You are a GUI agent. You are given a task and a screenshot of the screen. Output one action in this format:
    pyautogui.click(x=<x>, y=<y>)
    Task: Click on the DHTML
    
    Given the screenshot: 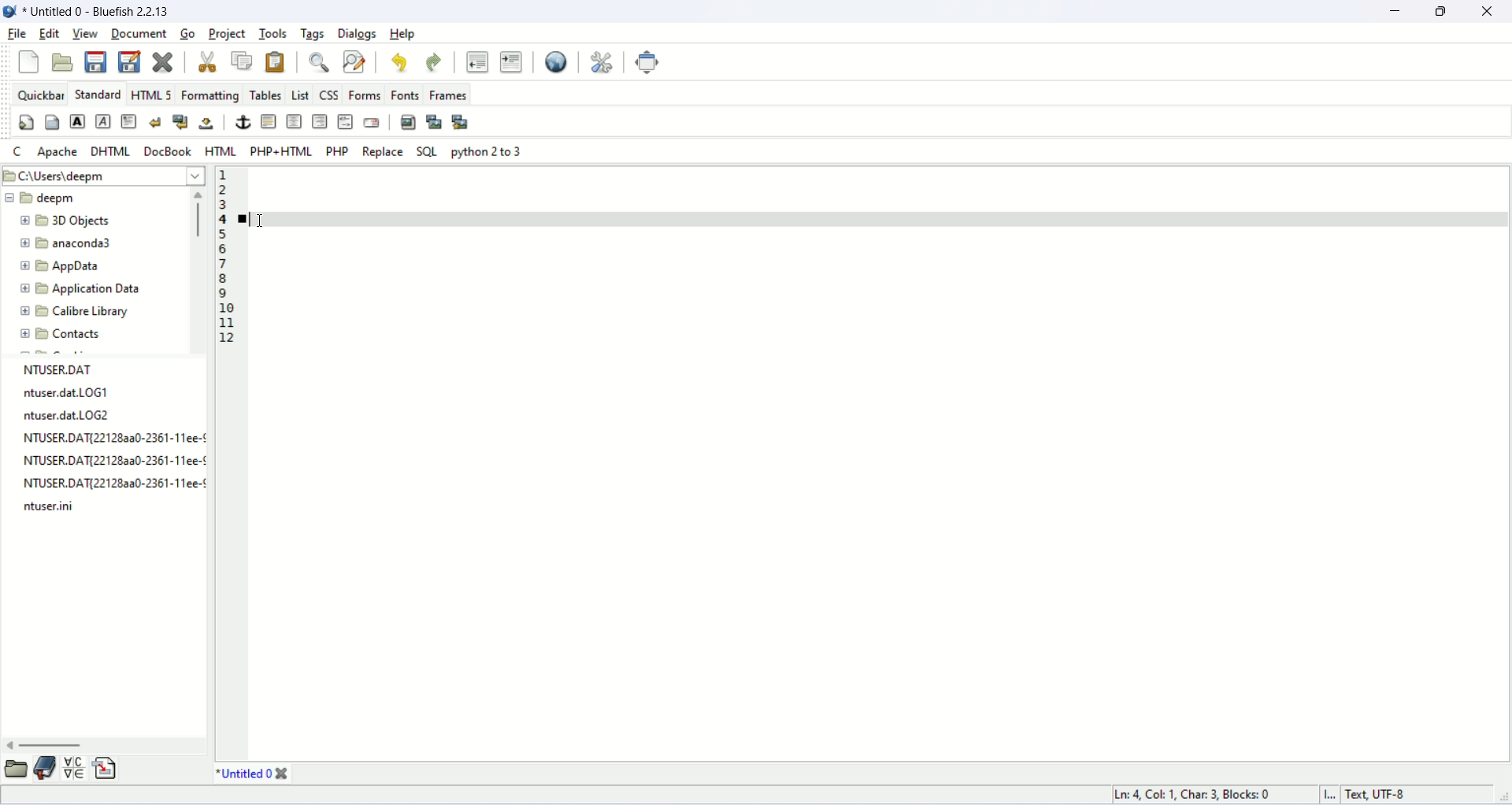 What is the action you would take?
    pyautogui.click(x=111, y=153)
    